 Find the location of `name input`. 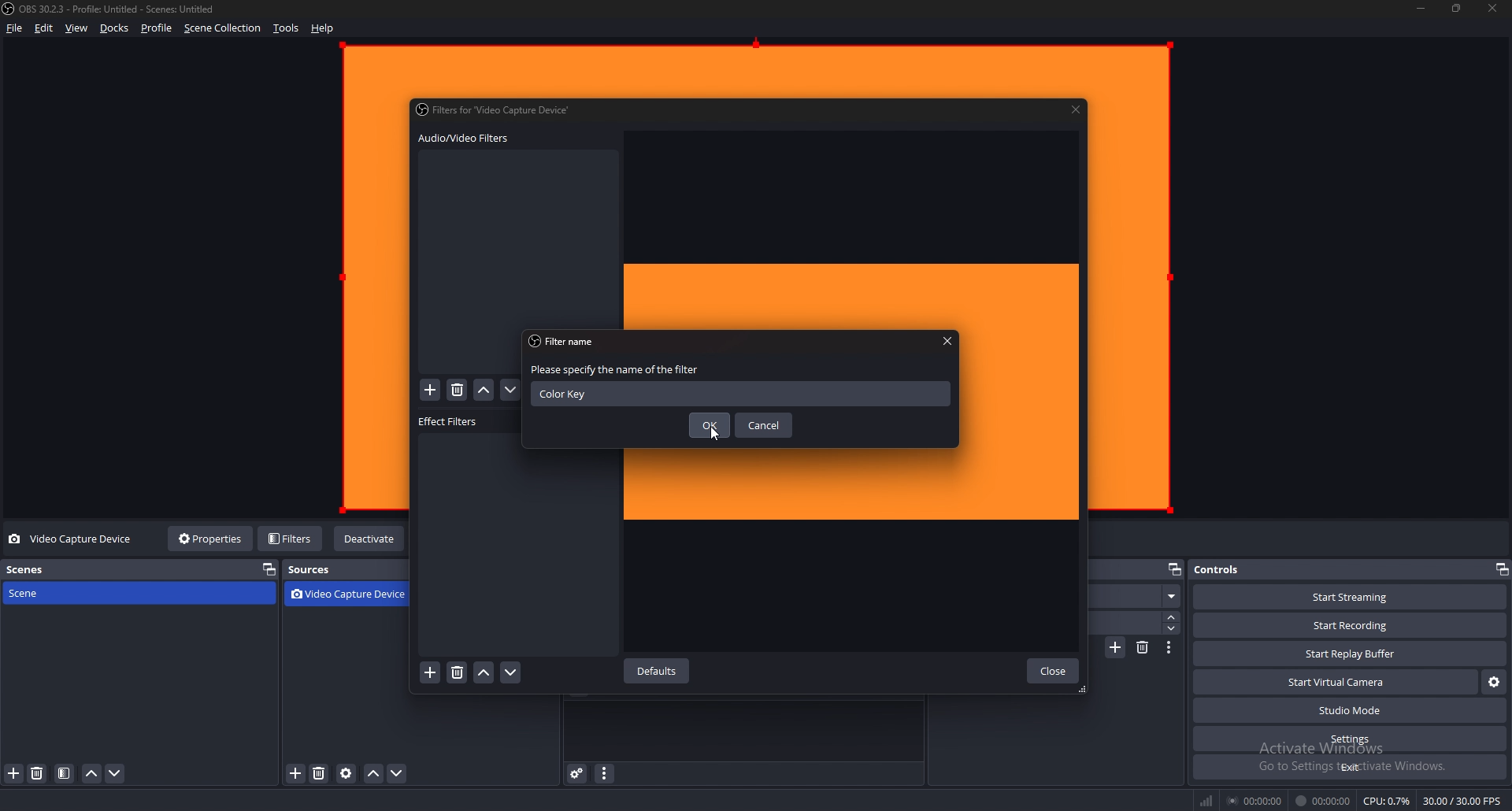

name input is located at coordinates (740, 393).